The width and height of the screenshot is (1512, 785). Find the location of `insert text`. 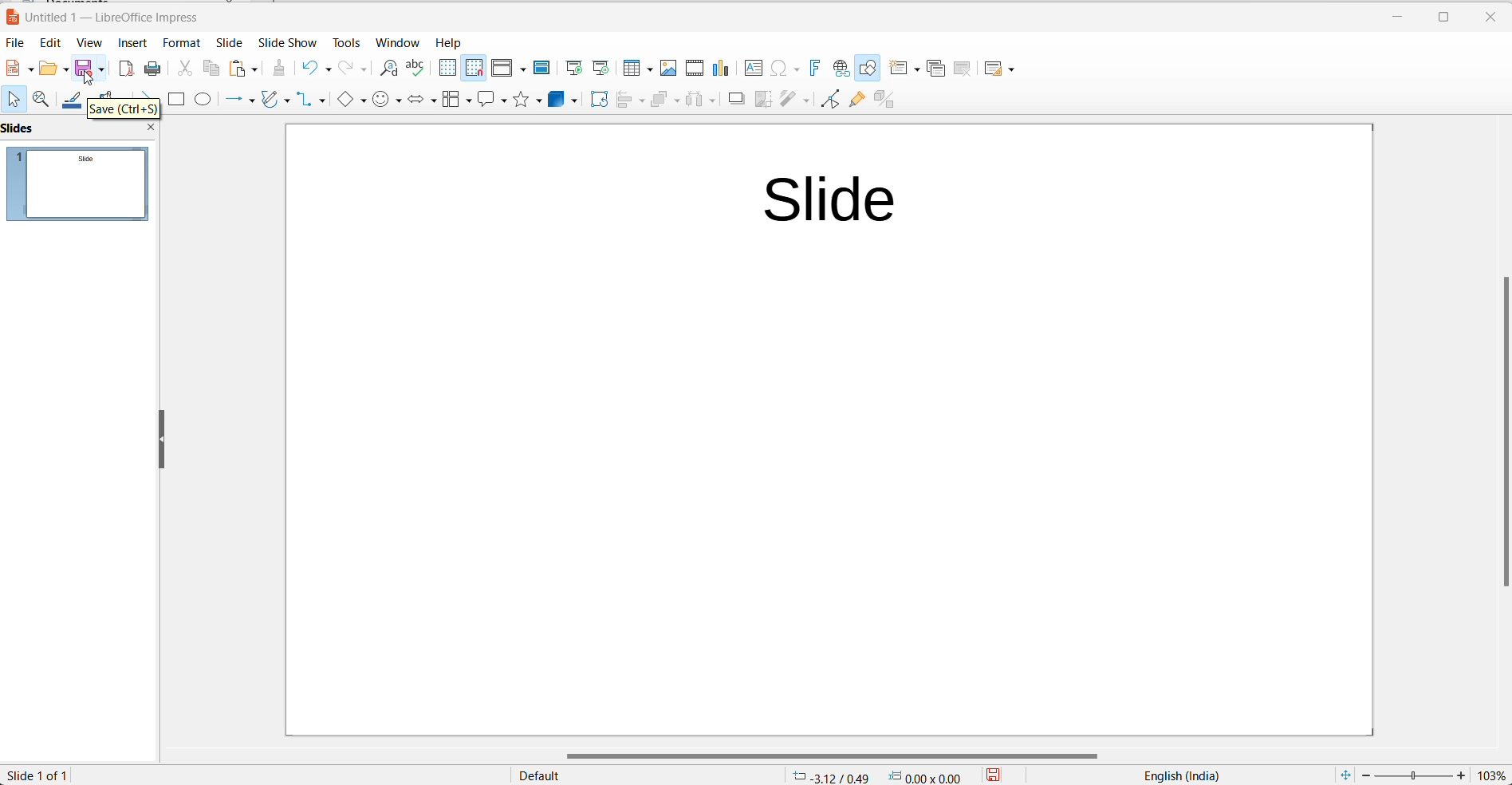

insert text is located at coordinates (748, 69).